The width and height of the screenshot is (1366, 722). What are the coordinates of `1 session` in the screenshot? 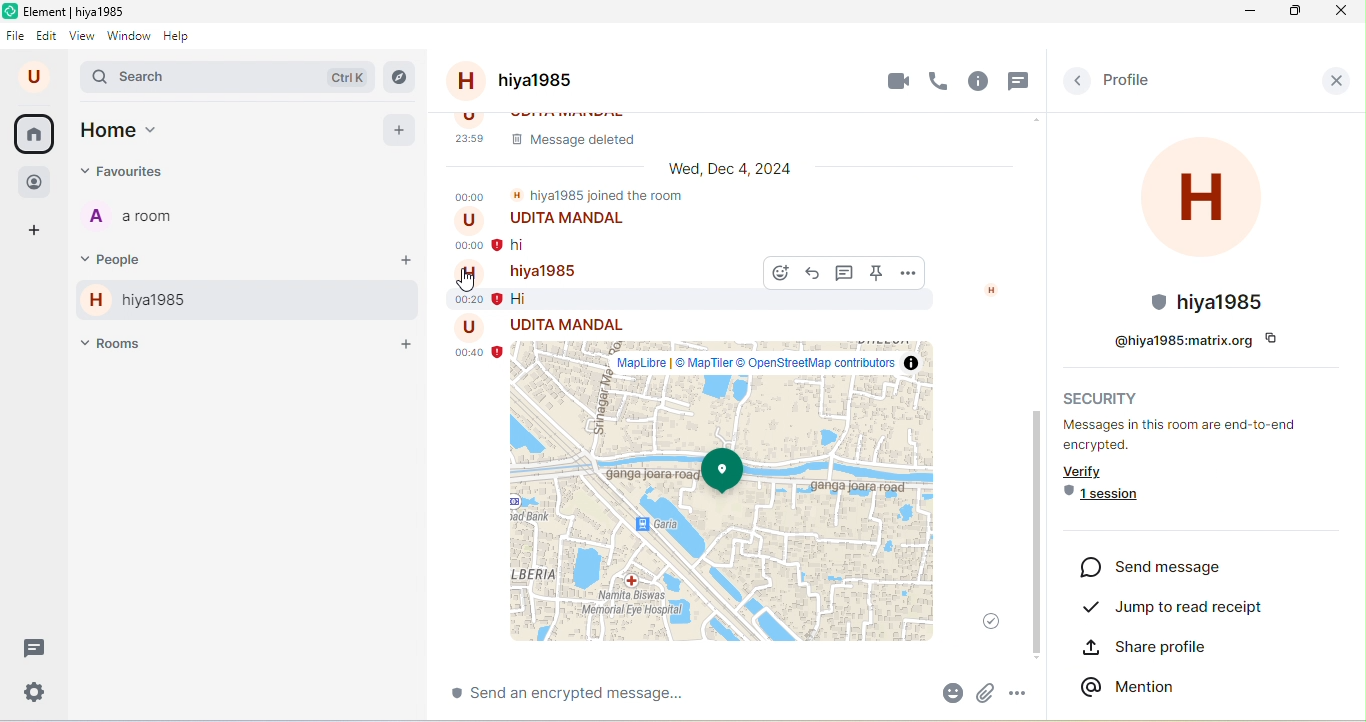 It's located at (1118, 499).